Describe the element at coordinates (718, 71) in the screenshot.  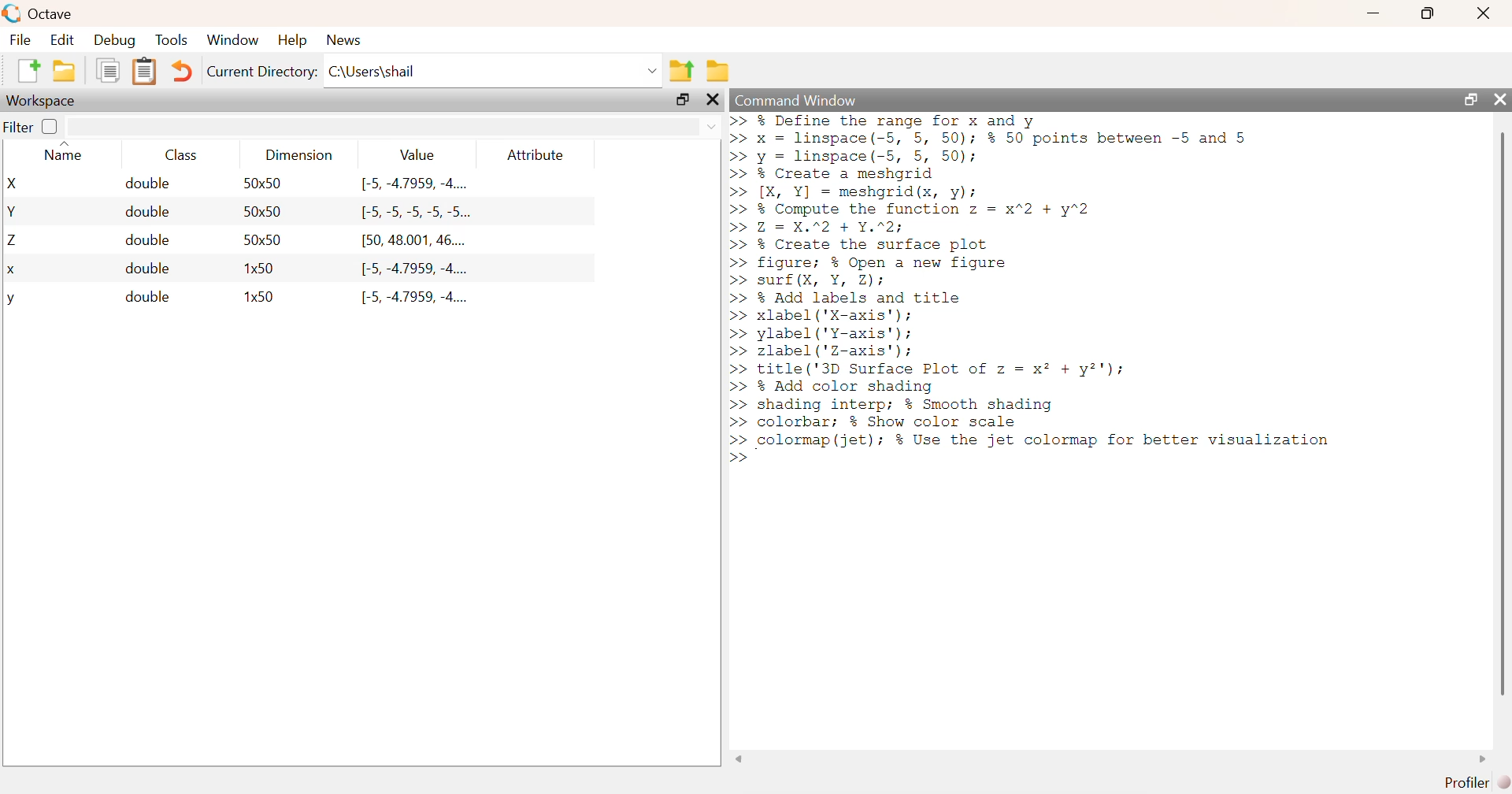
I see `Folder` at that location.